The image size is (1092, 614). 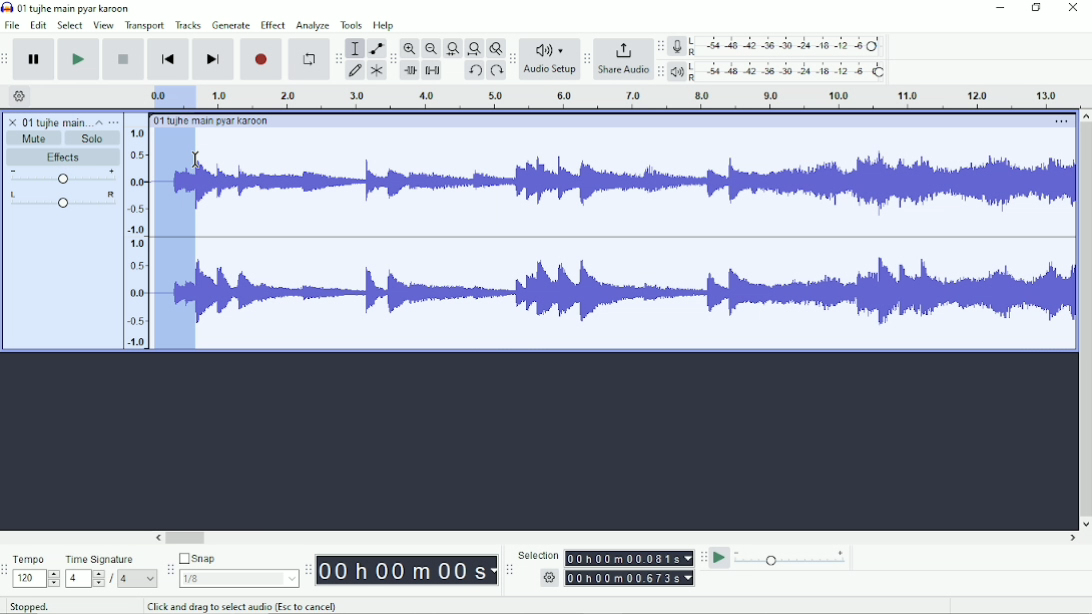 I want to click on Audacity edit toolbar, so click(x=393, y=60).